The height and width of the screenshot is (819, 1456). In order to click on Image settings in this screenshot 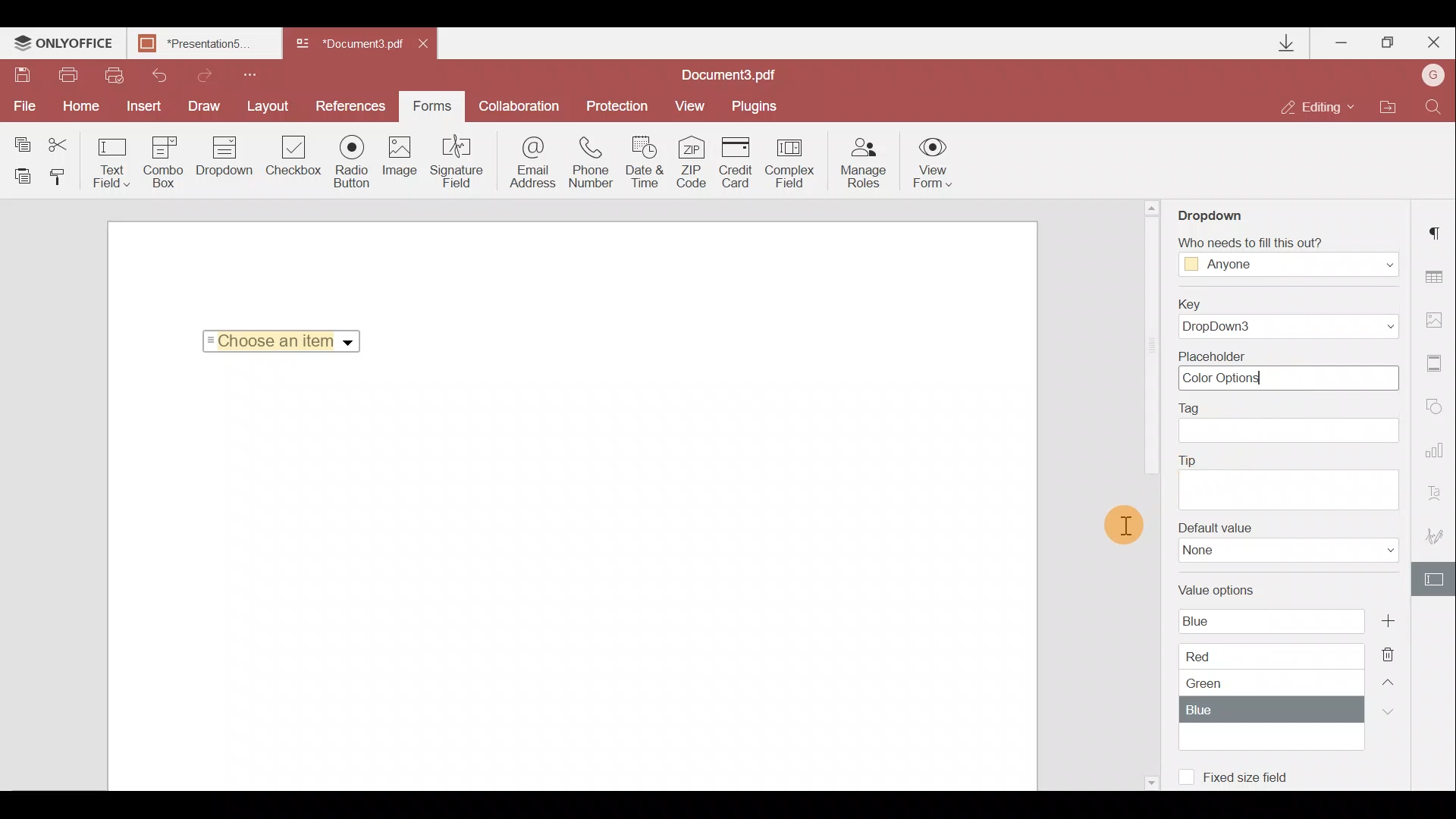, I will do `click(1439, 319)`.